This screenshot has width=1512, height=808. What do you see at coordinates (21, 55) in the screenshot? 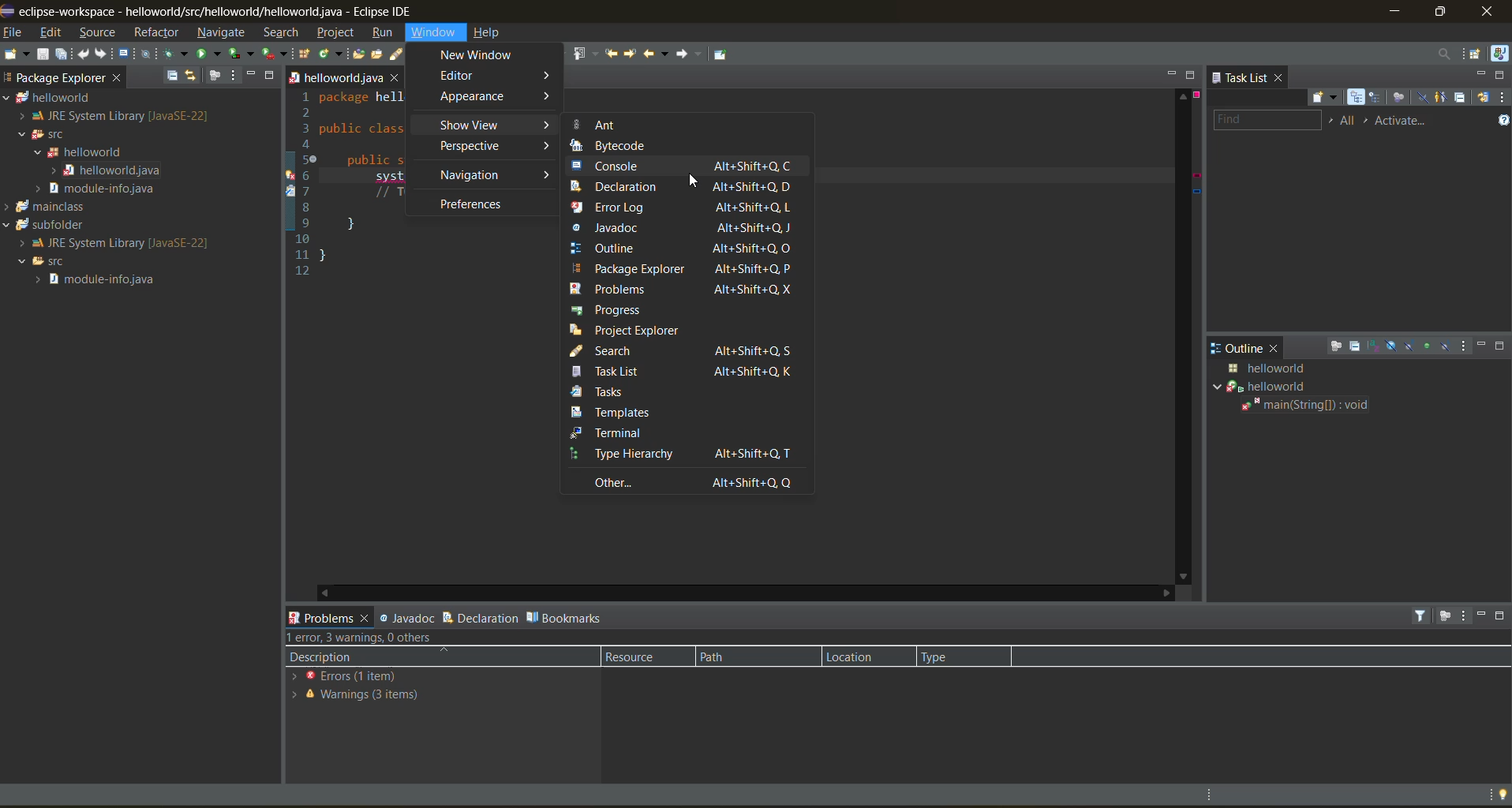
I see `new` at bounding box center [21, 55].